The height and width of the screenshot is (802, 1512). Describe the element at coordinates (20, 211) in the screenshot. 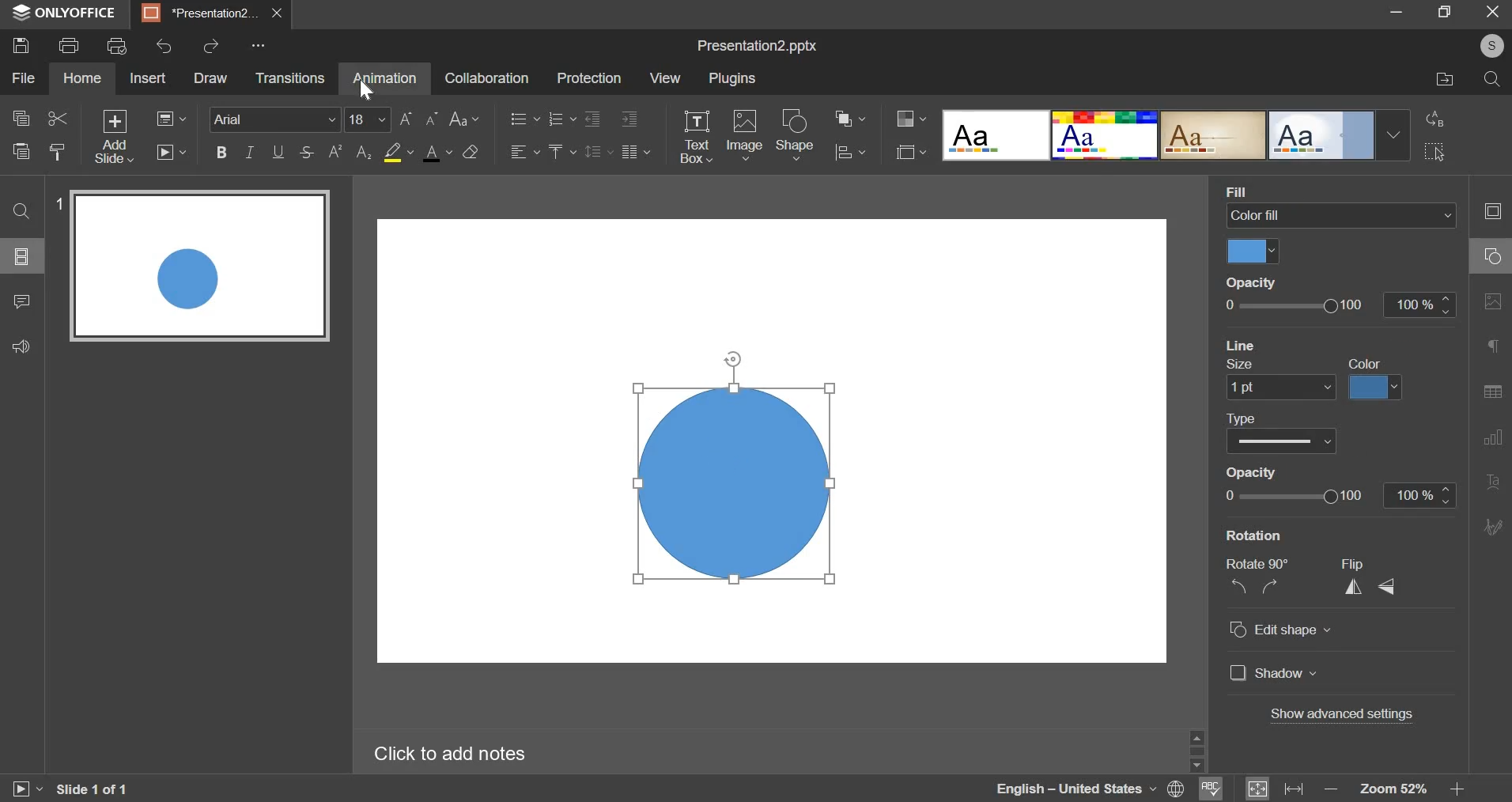

I see `find` at that location.